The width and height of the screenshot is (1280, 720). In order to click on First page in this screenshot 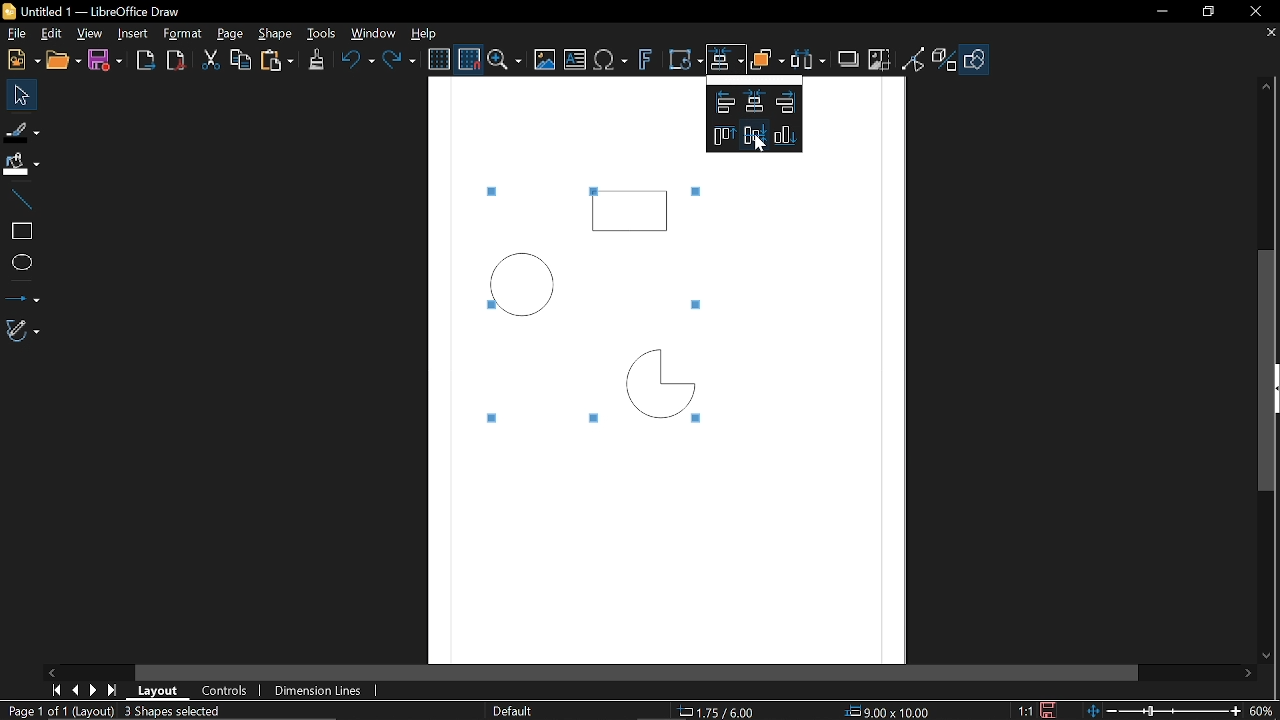, I will do `click(54, 691)`.